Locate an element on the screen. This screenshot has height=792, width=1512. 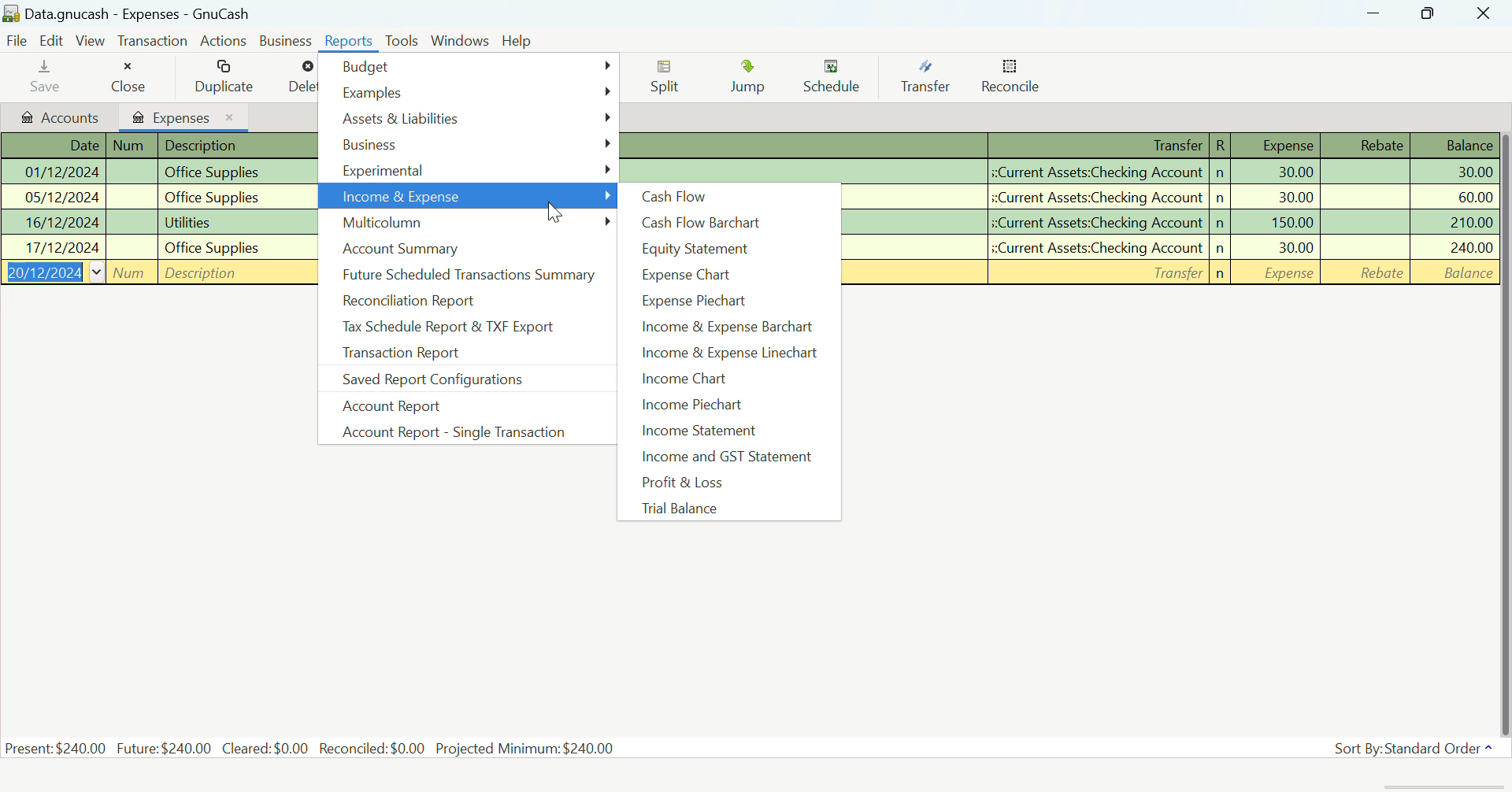
Save is located at coordinates (43, 80).